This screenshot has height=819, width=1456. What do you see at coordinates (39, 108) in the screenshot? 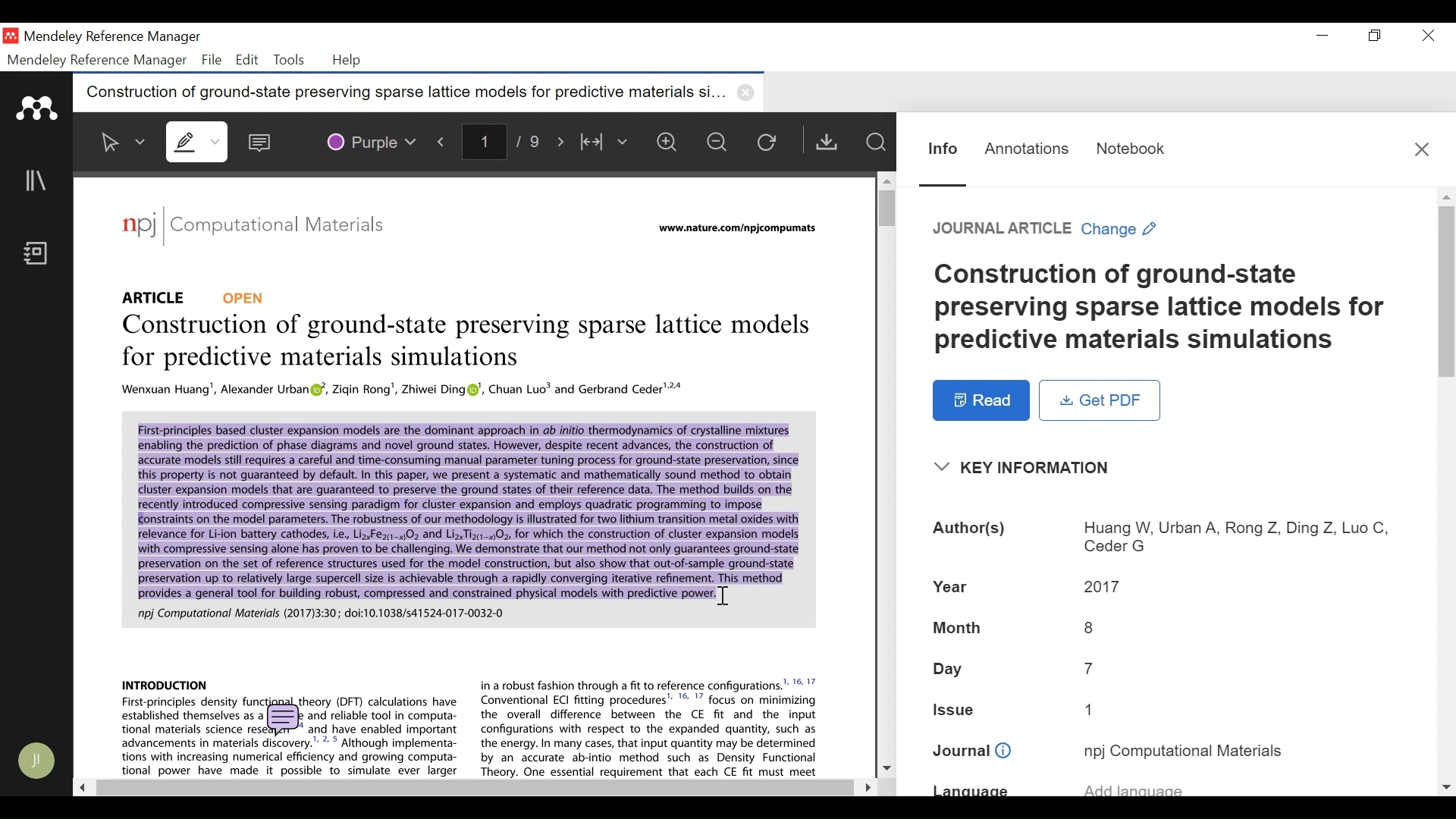
I see `Mendeley logo` at bounding box center [39, 108].